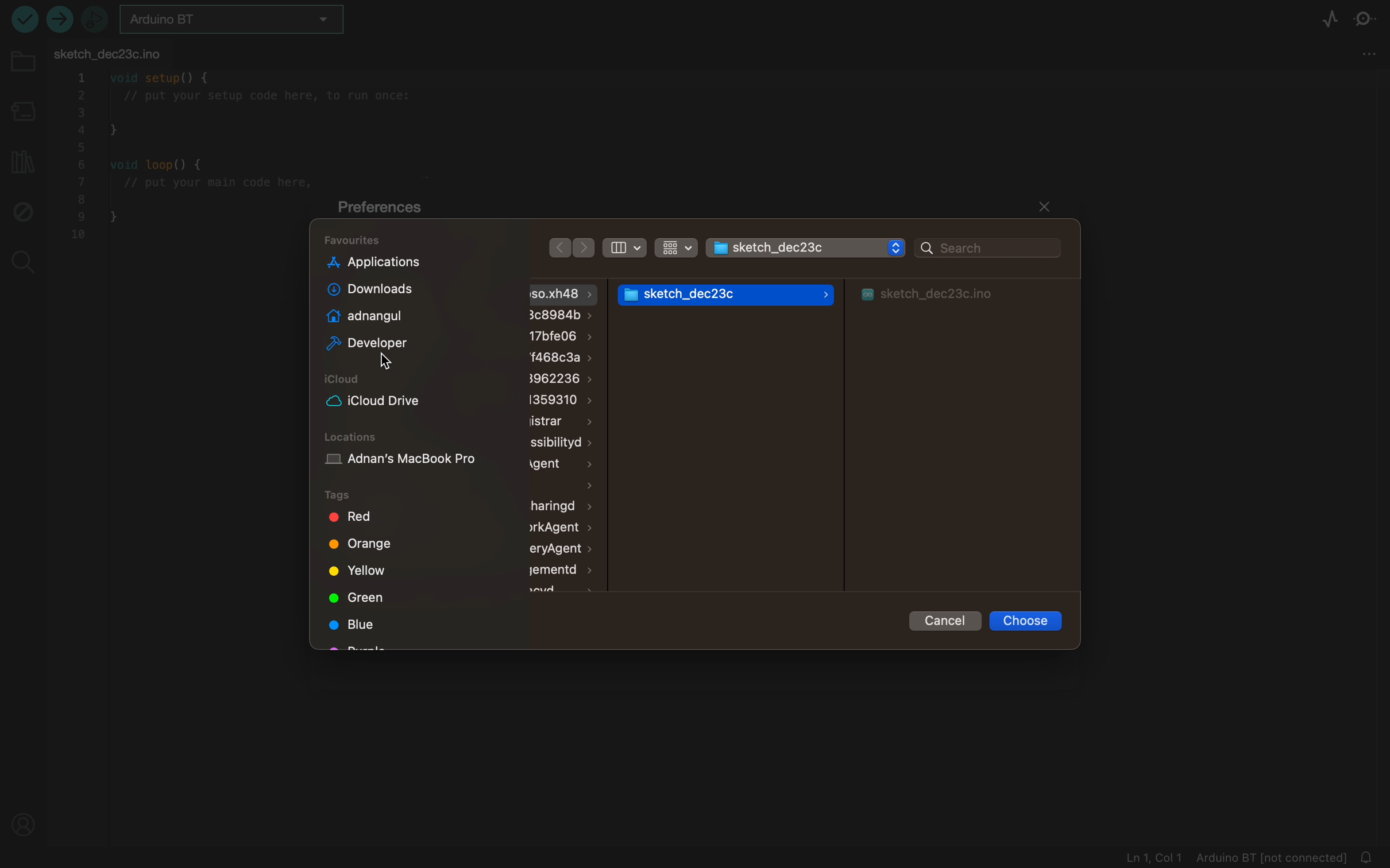 The image size is (1390, 868). Describe the element at coordinates (570, 250) in the screenshot. I see `arrows` at that location.